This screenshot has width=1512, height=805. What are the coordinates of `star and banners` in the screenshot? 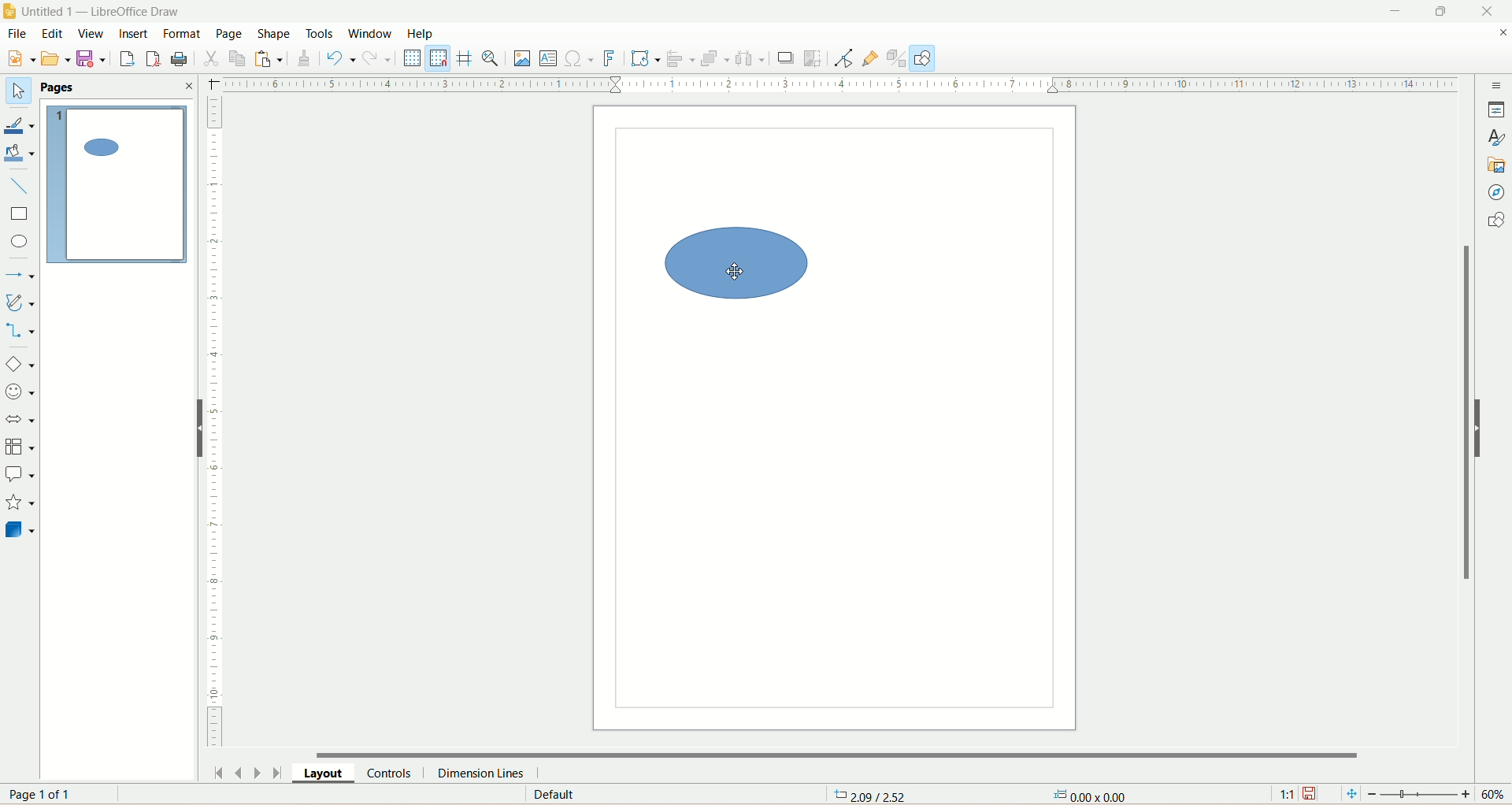 It's located at (19, 502).